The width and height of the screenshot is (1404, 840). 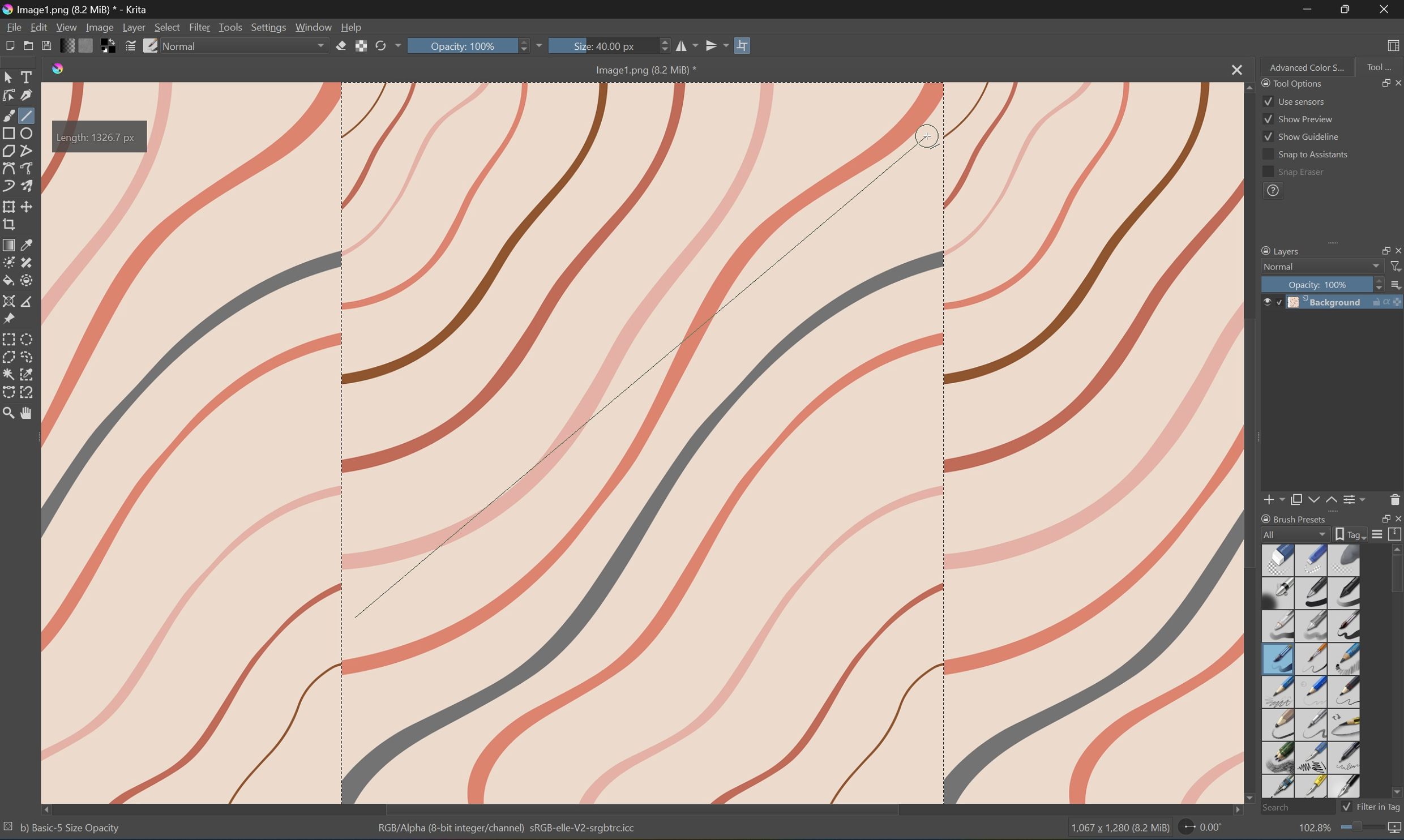 What do you see at coordinates (48, 808) in the screenshot?
I see `Scroll Left` at bounding box center [48, 808].